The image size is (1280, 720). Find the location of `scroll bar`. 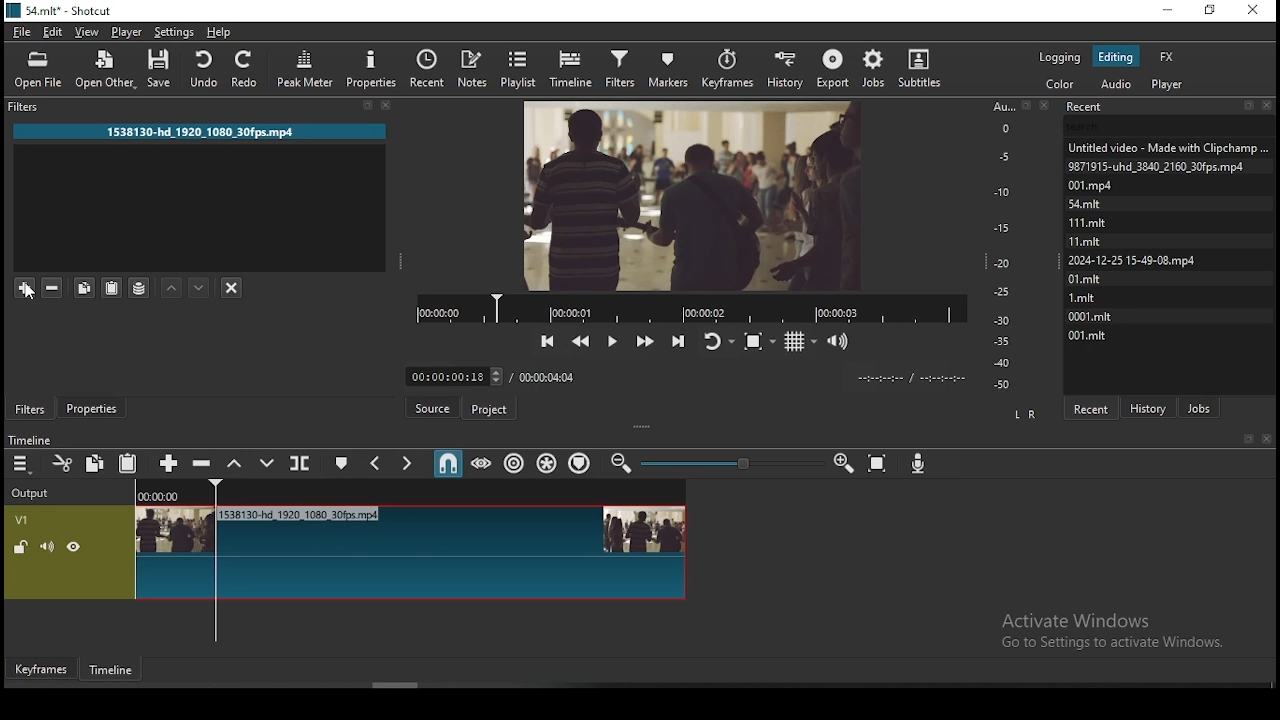

scroll bar is located at coordinates (399, 683).